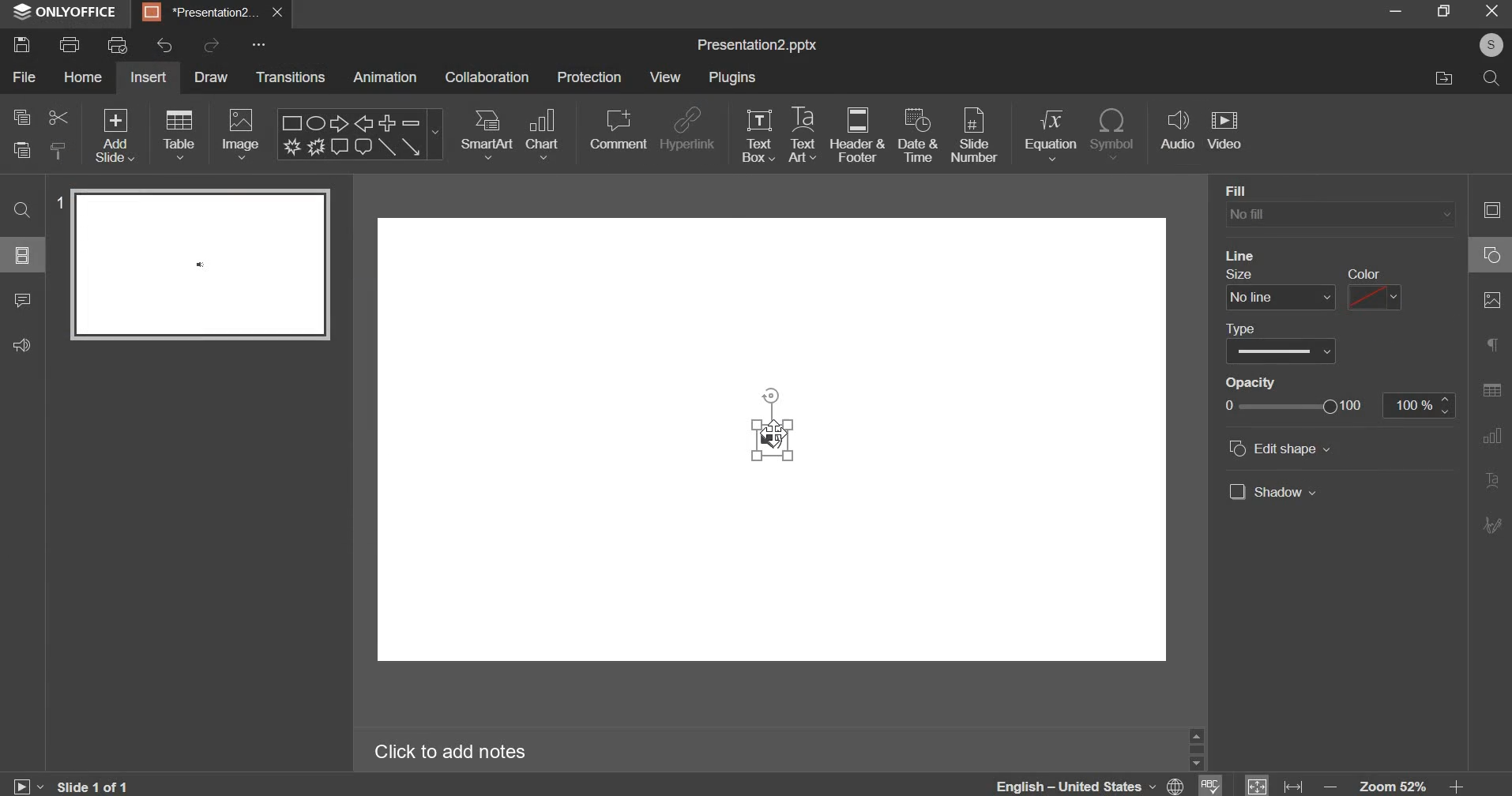 The image size is (1512, 796). I want to click on slide settings, so click(1491, 209).